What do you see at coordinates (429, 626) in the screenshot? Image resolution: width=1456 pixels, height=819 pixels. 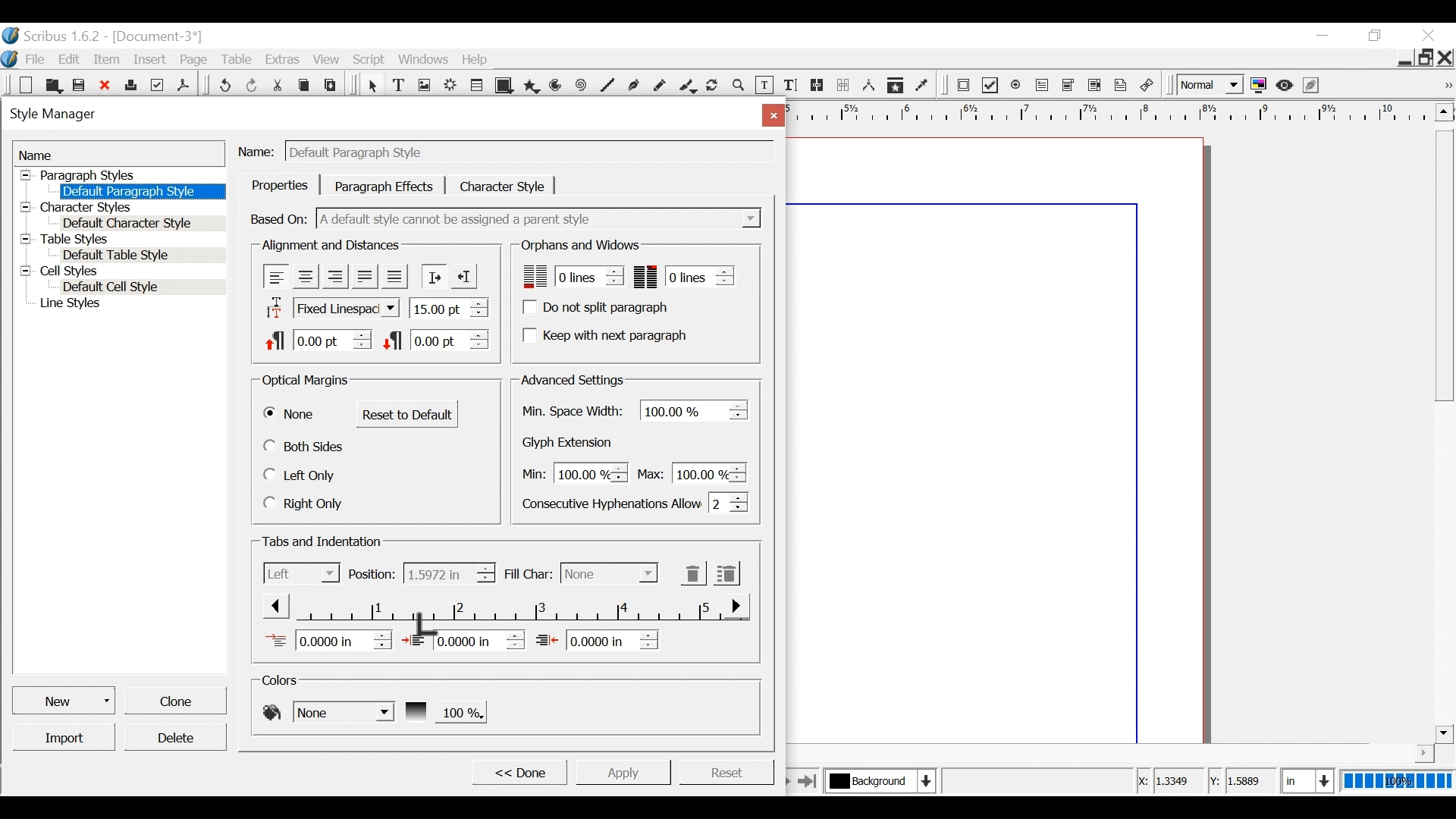 I see `Cursor` at bounding box center [429, 626].